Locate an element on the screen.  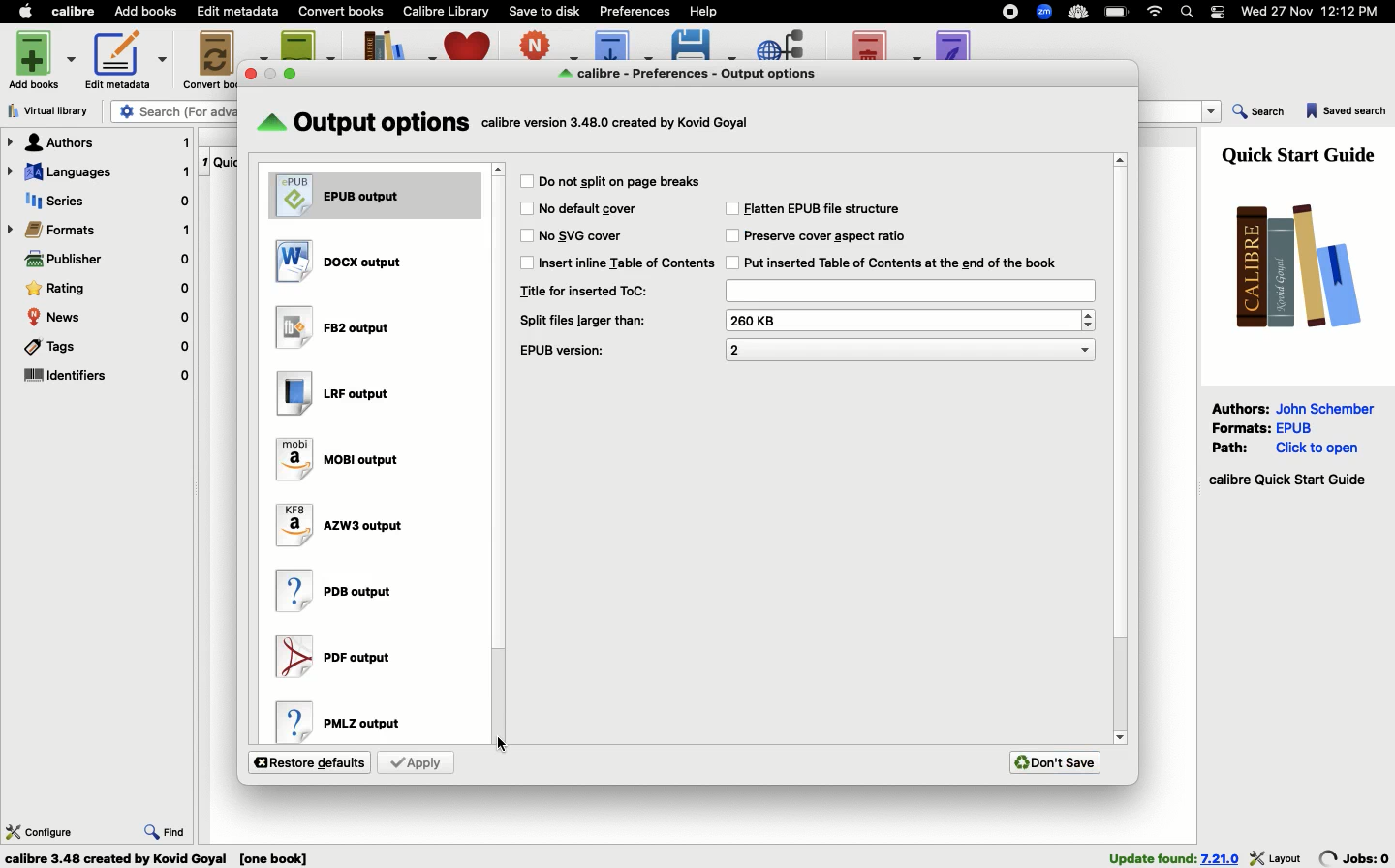
Help is located at coordinates (702, 10).